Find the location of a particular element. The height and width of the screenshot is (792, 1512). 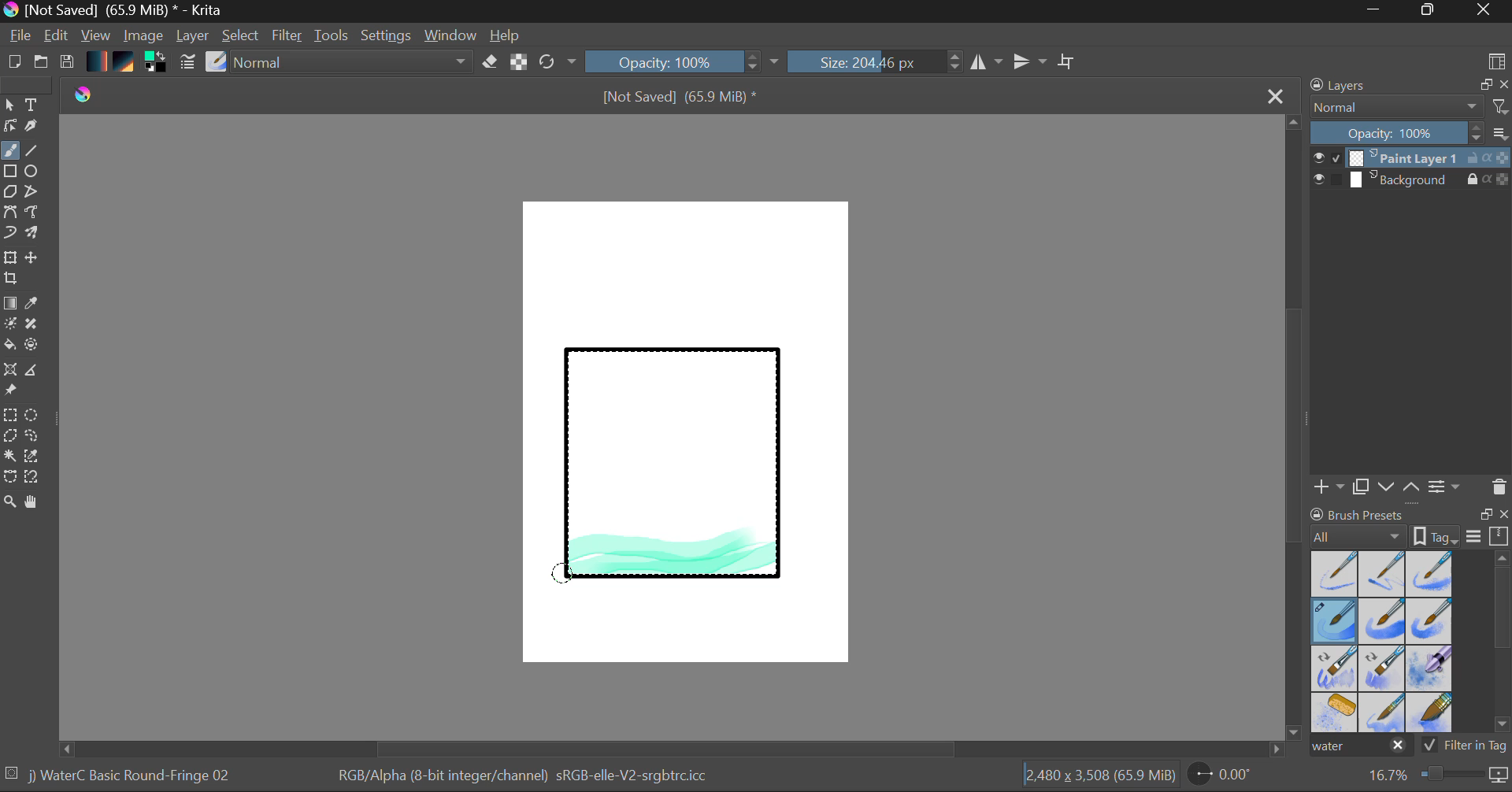

Rectangle Shape Selected is located at coordinates (674, 479).